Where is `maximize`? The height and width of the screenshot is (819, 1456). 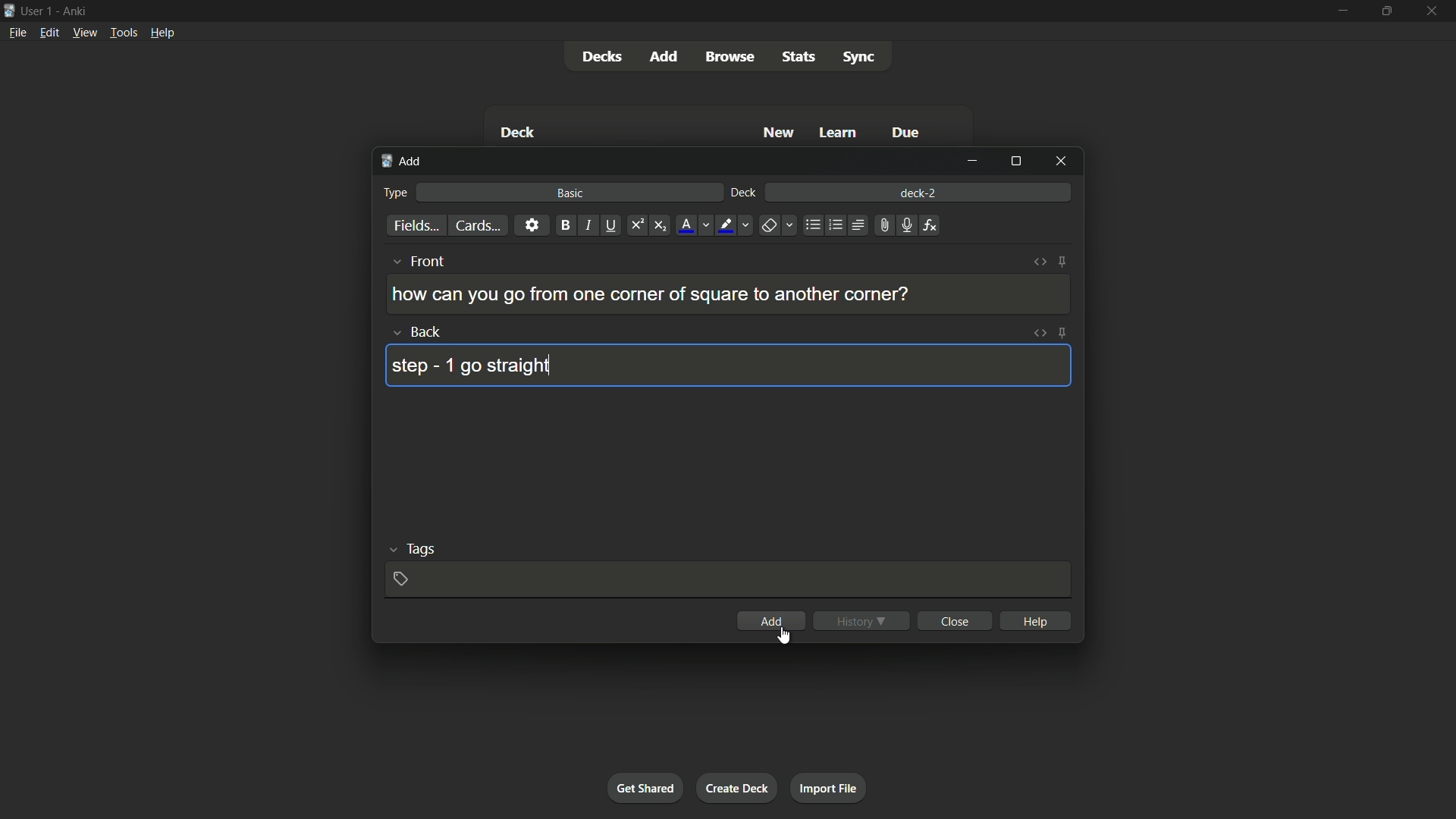 maximize is located at coordinates (1017, 160).